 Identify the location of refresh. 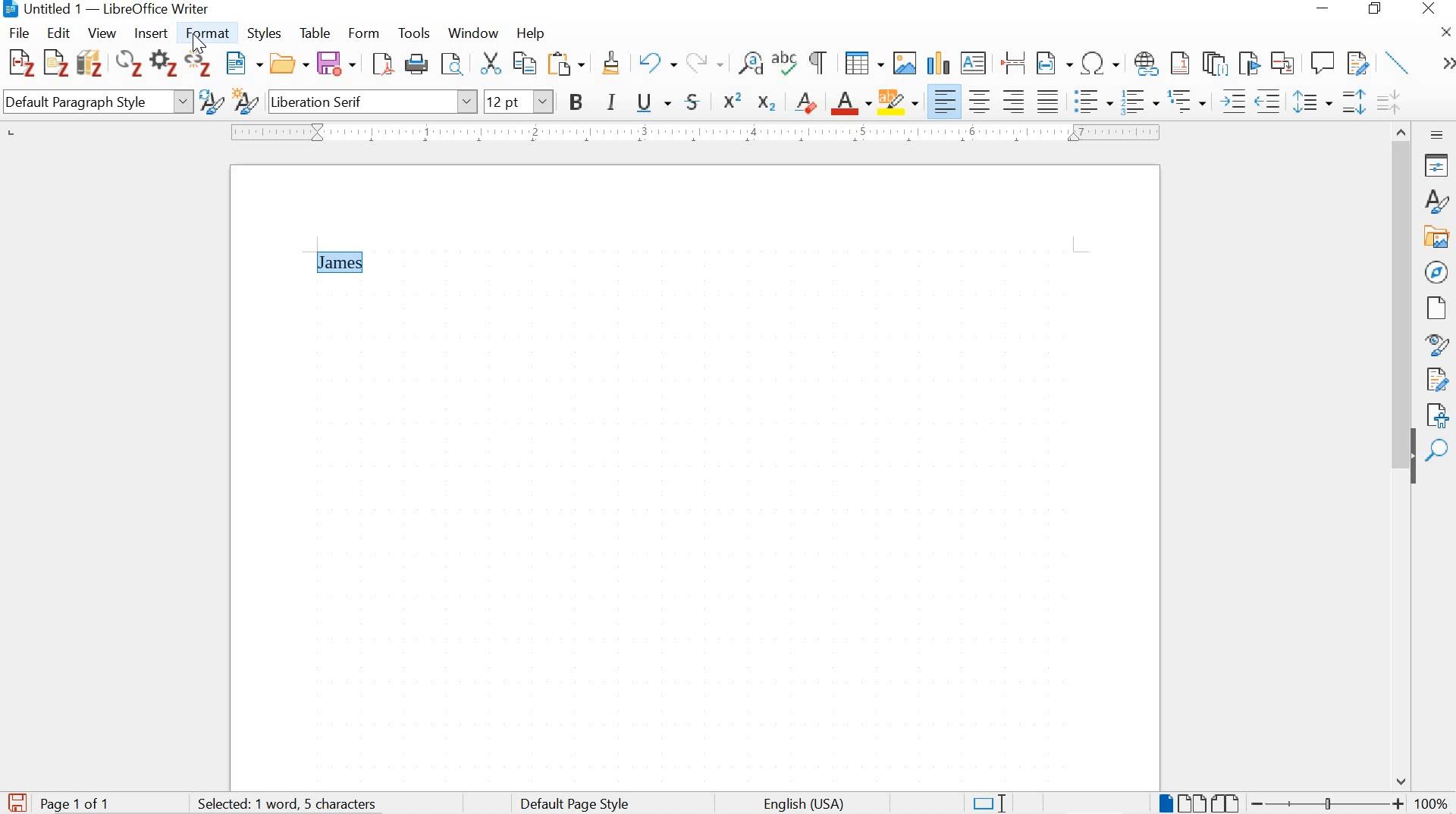
(127, 65).